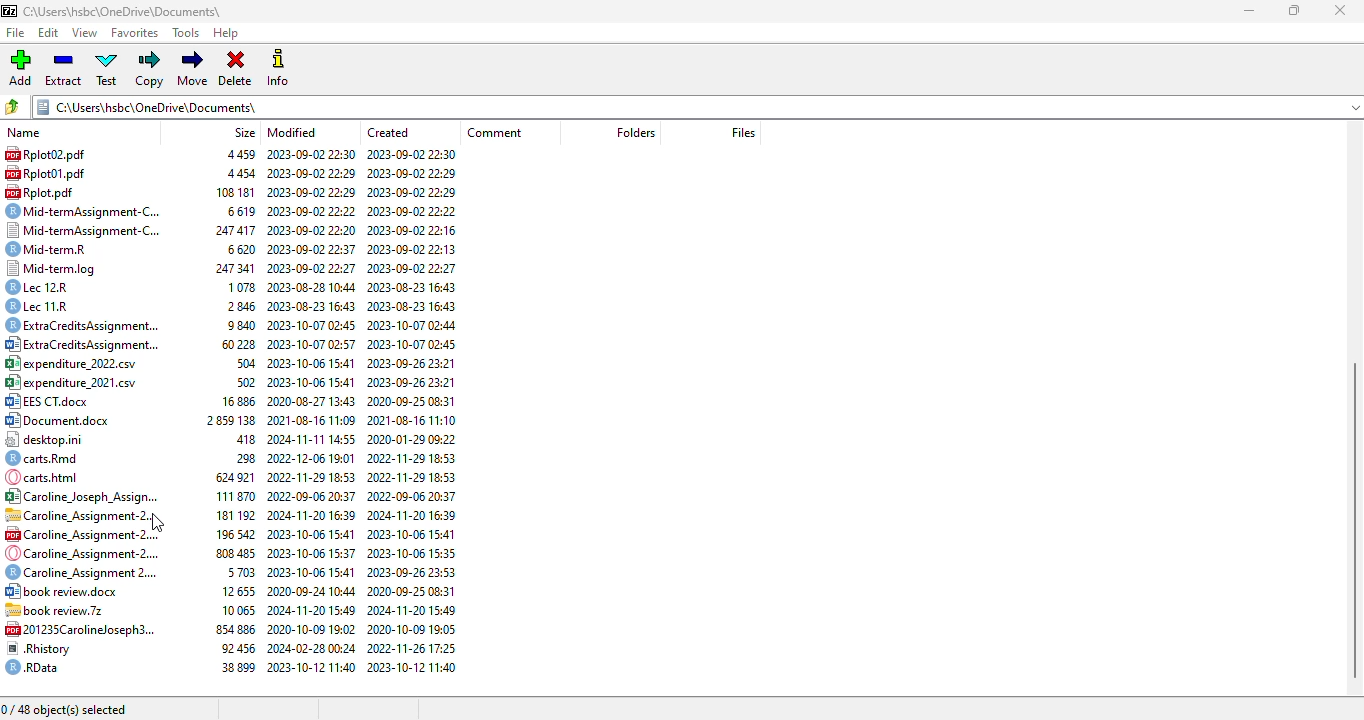 This screenshot has height=720, width=1364. I want to click on maximize, so click(1295, 10).